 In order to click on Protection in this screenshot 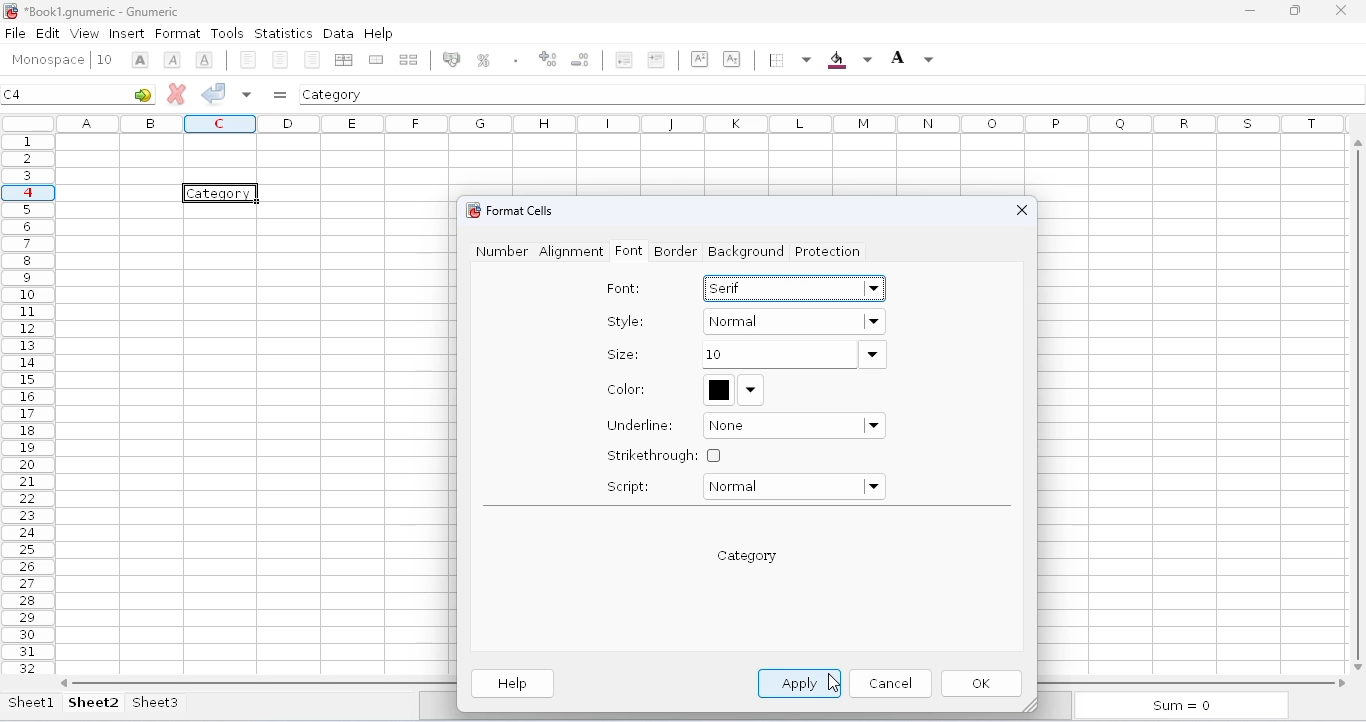, I will do `click(829, 253)`.